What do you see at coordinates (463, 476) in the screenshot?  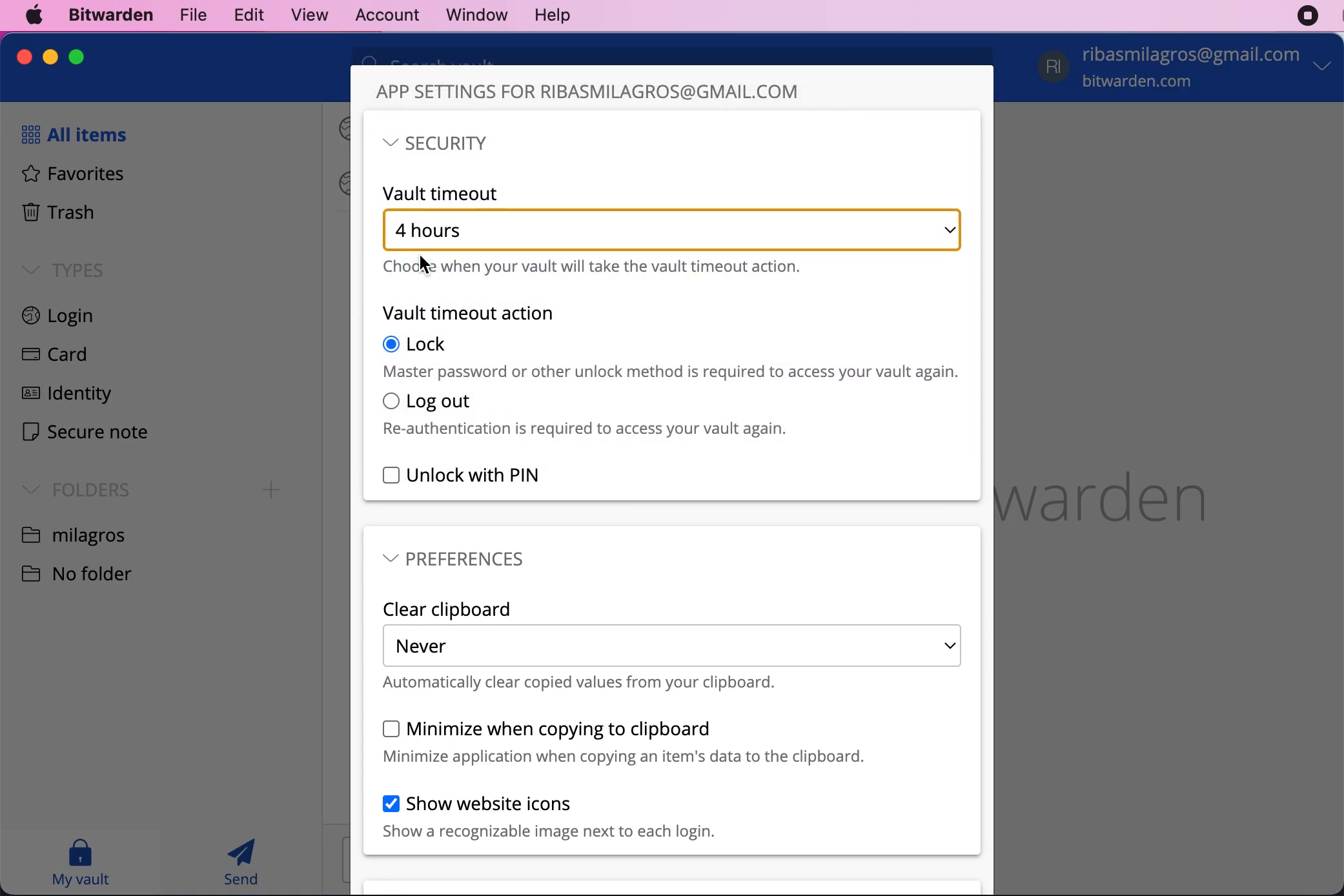 I see `unlock with pin` at bounding box center [463, 476].